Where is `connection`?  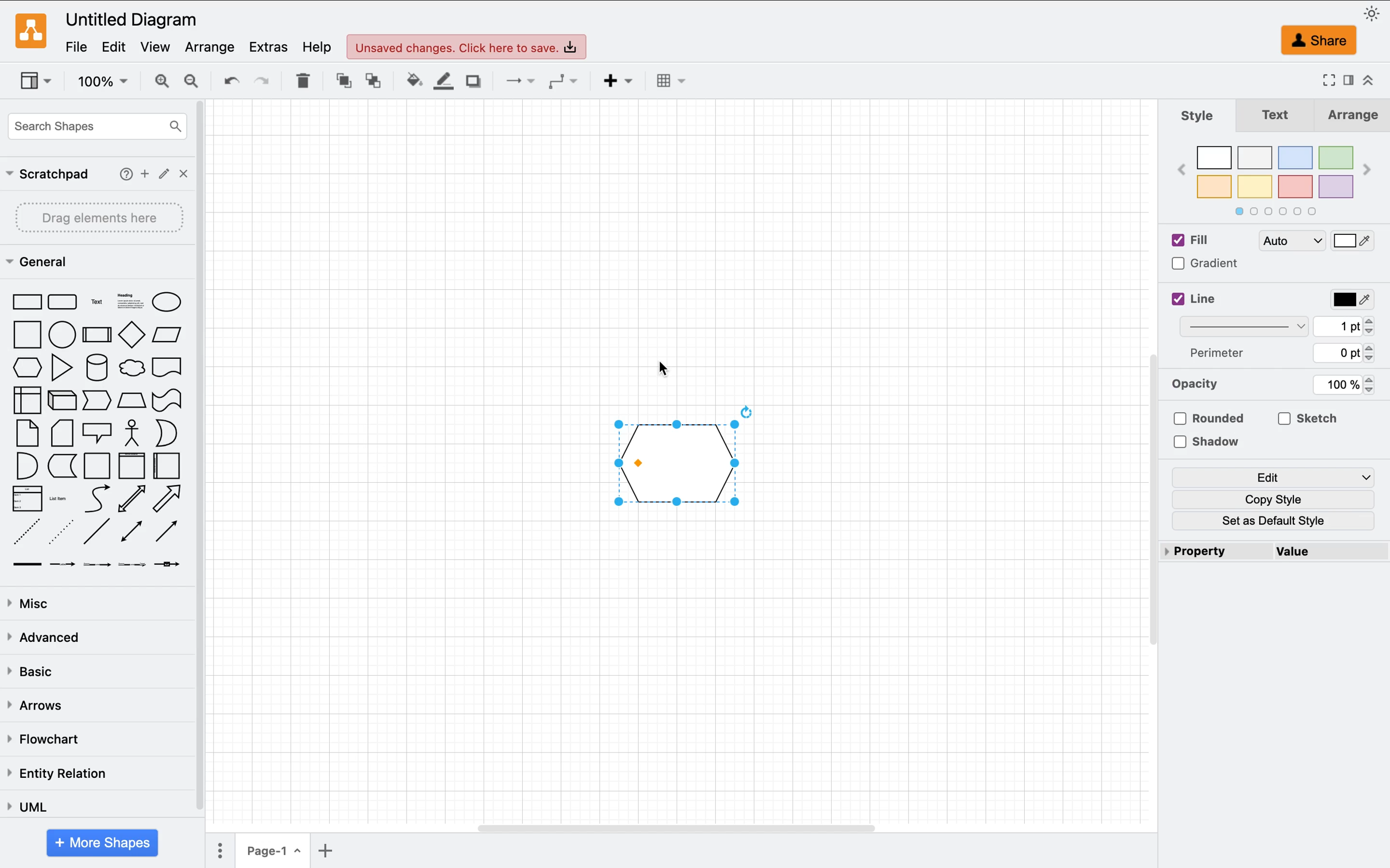
connection is located at coordinates (513, 81).